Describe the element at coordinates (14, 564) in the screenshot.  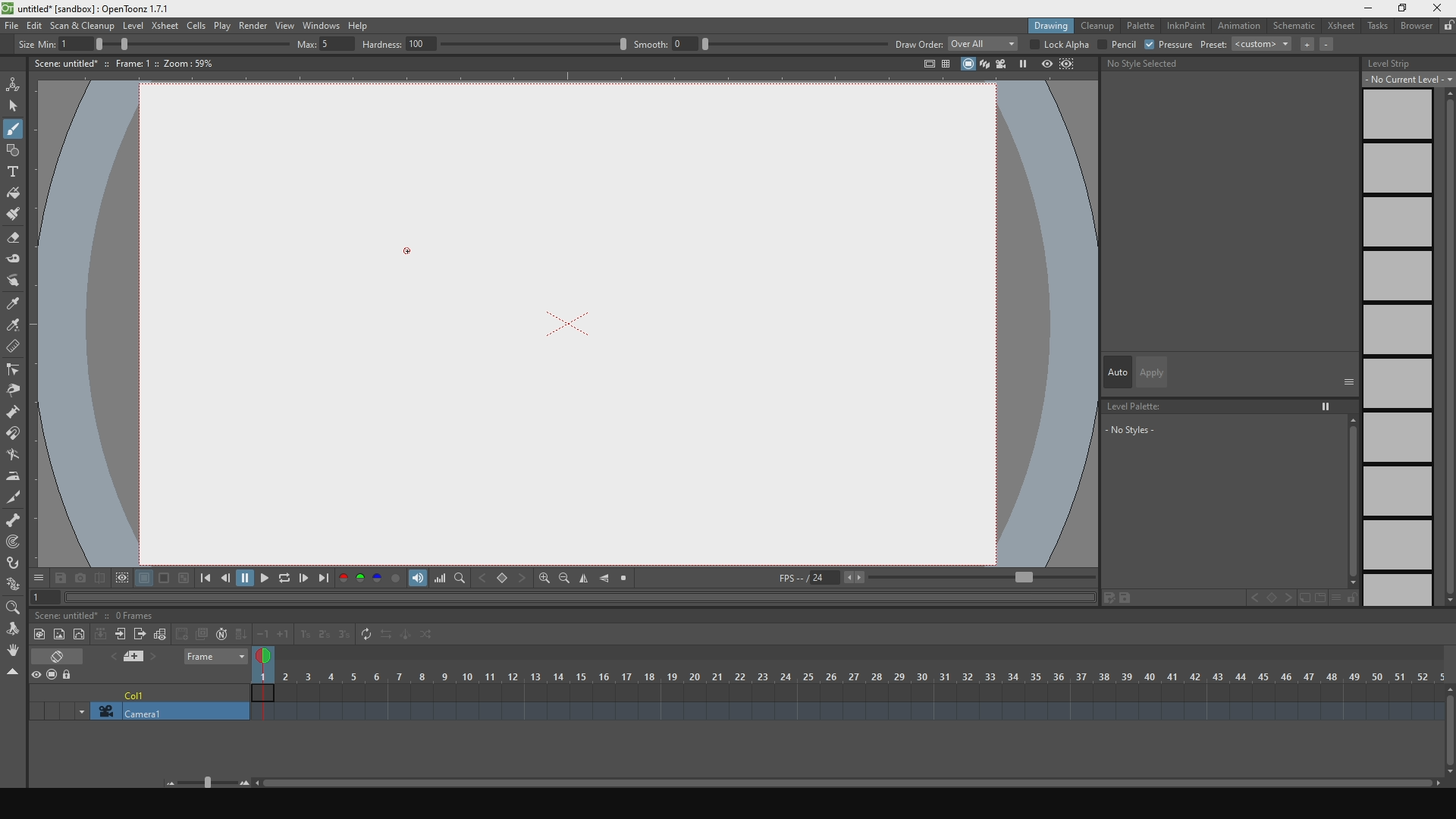
I see `hook` at that location.